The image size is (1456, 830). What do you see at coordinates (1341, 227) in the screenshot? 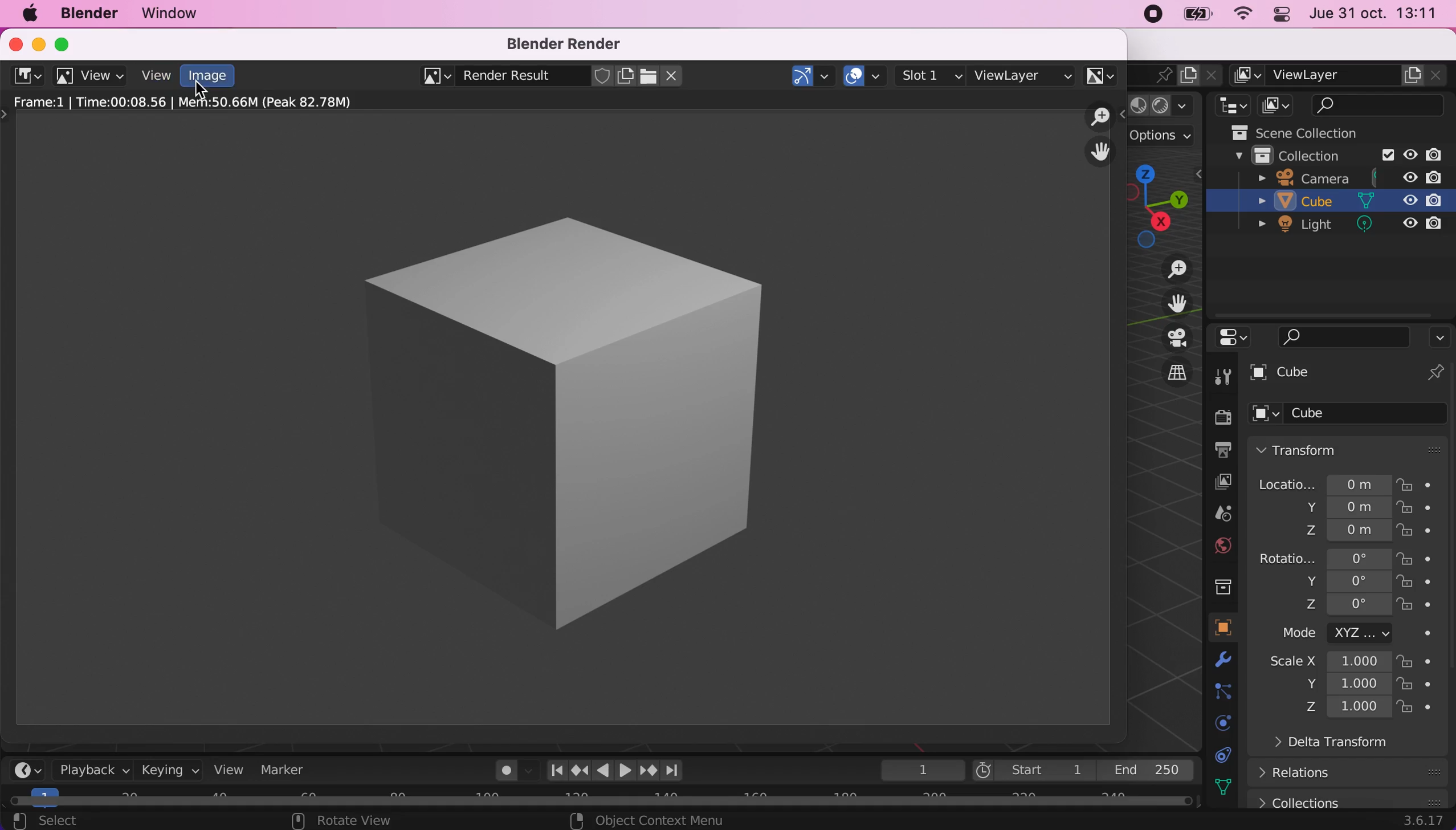
I see `light` at bounding box center [1341, 227].